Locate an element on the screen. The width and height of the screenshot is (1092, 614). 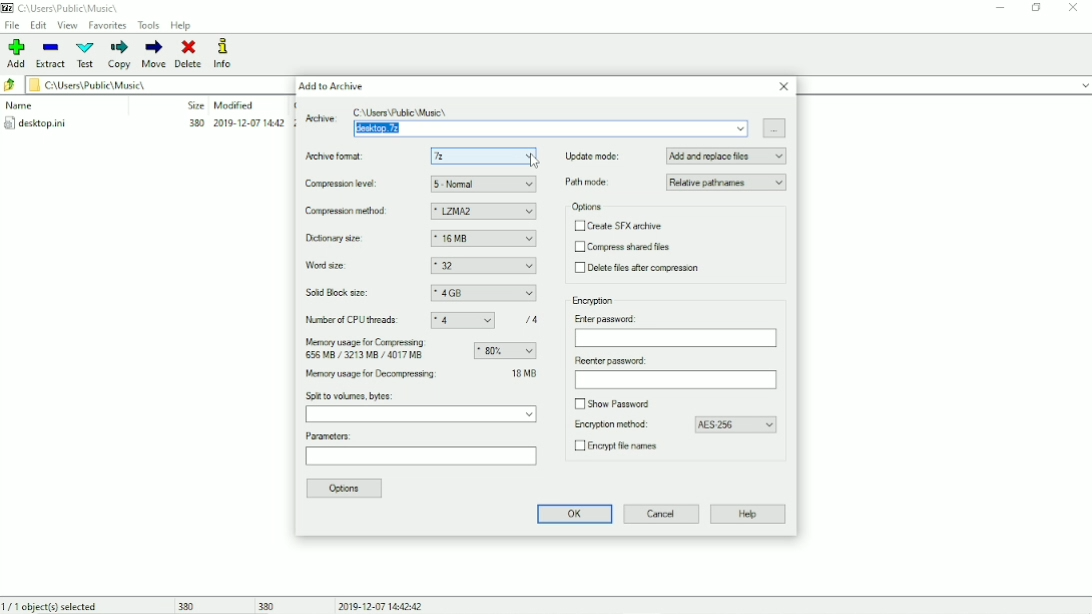
Encryption method is located at coordinates (677, 424).